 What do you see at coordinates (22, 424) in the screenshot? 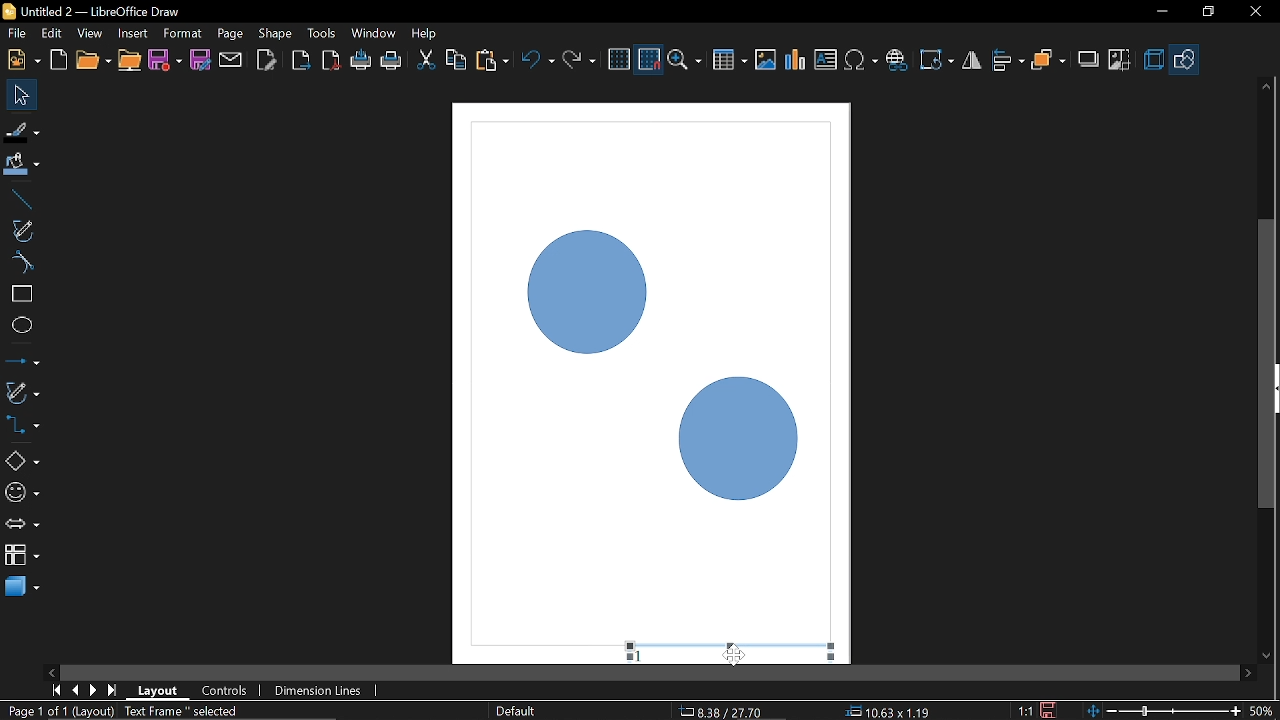
I see `Connector` at bounding box center [22, 424].